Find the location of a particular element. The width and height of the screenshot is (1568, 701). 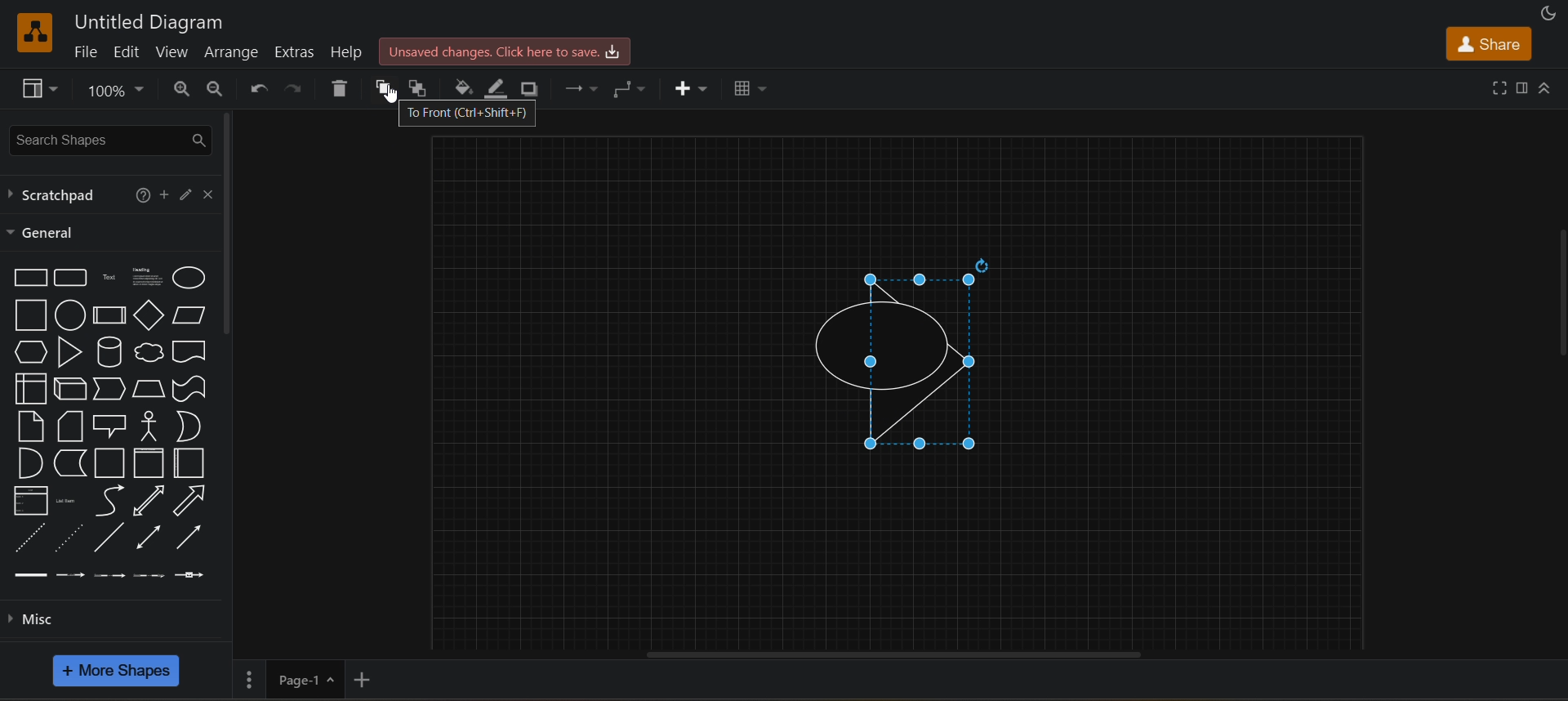

close is located at coordinates (209, 192).